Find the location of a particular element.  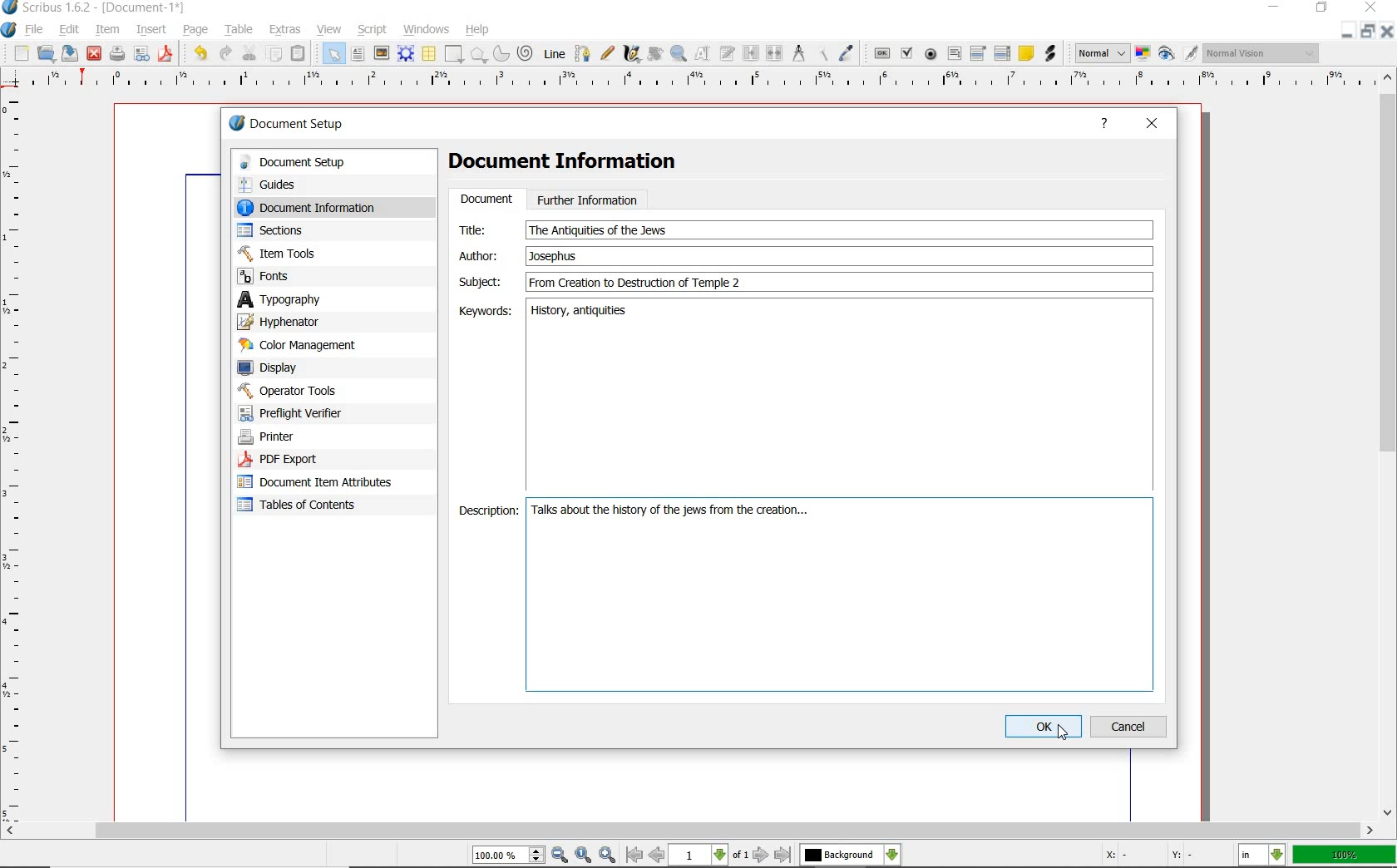

hypenator is located at coordinates (291, 322).